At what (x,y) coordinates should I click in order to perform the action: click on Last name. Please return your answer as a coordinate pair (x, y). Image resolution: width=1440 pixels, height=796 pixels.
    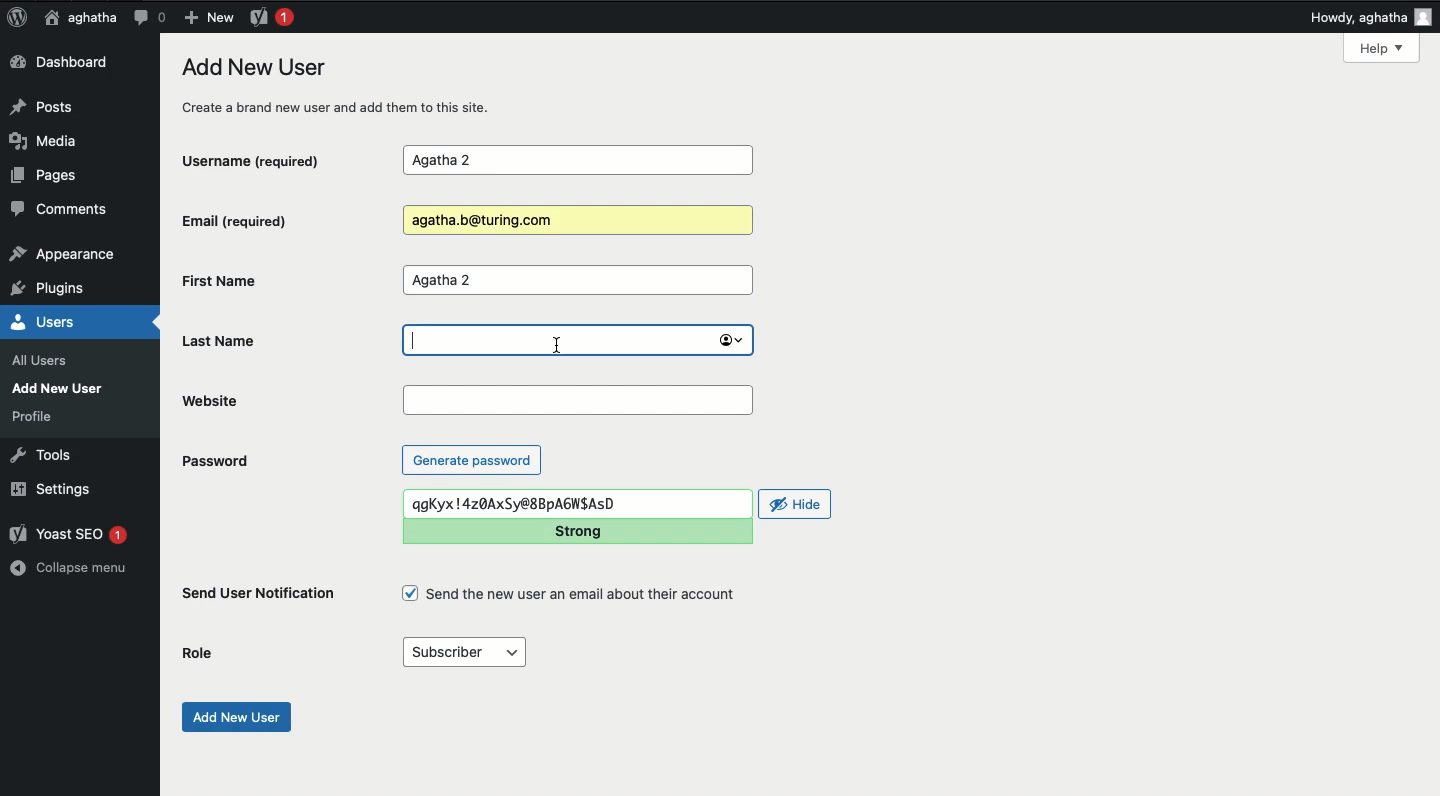
    Looking at the image, I should click on (236, 340).